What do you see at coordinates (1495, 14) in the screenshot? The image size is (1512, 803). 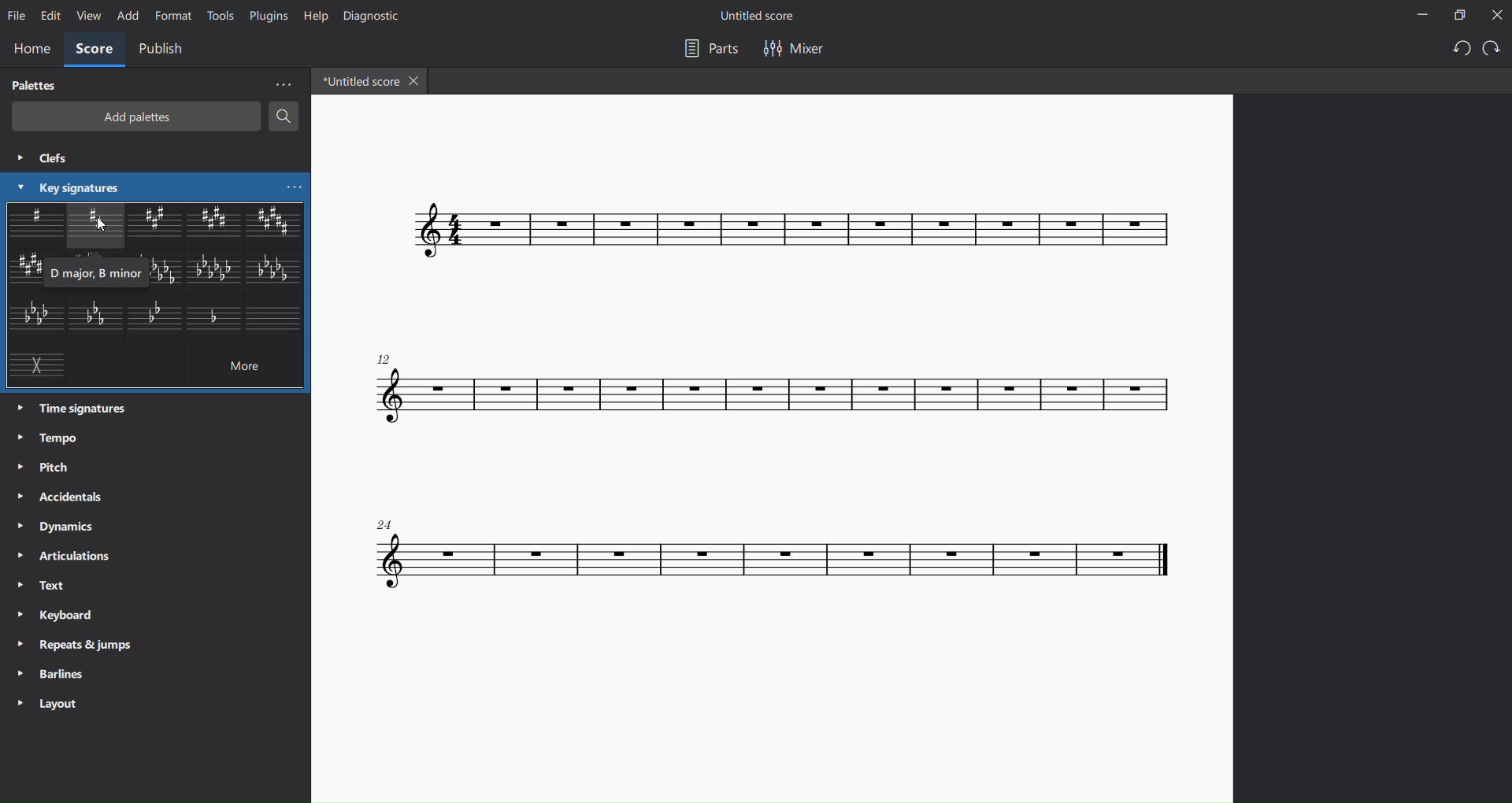 I see `close` at bounding box center [1495, 14].